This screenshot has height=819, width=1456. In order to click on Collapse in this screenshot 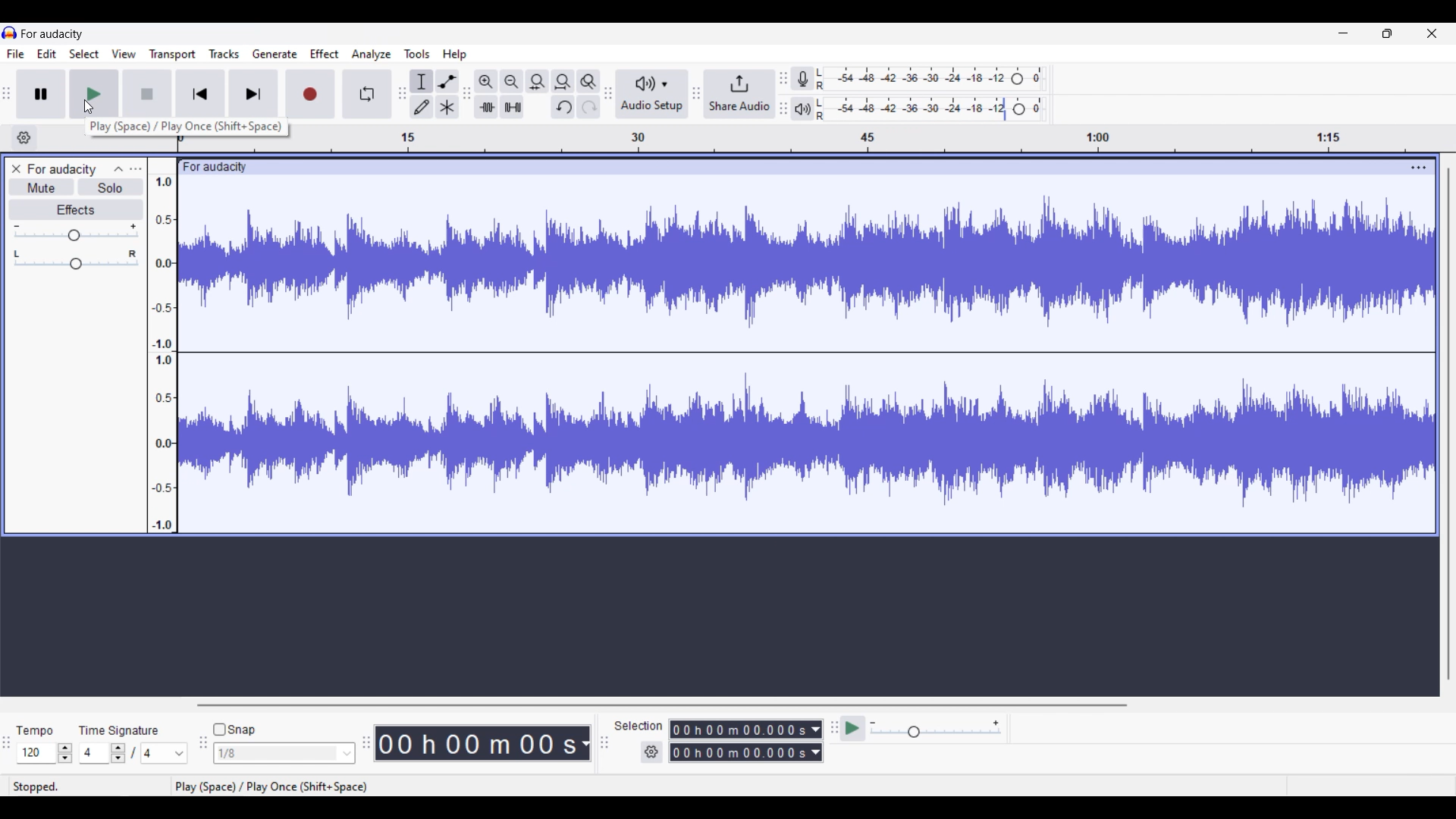, I will do `click(119, 170)`.